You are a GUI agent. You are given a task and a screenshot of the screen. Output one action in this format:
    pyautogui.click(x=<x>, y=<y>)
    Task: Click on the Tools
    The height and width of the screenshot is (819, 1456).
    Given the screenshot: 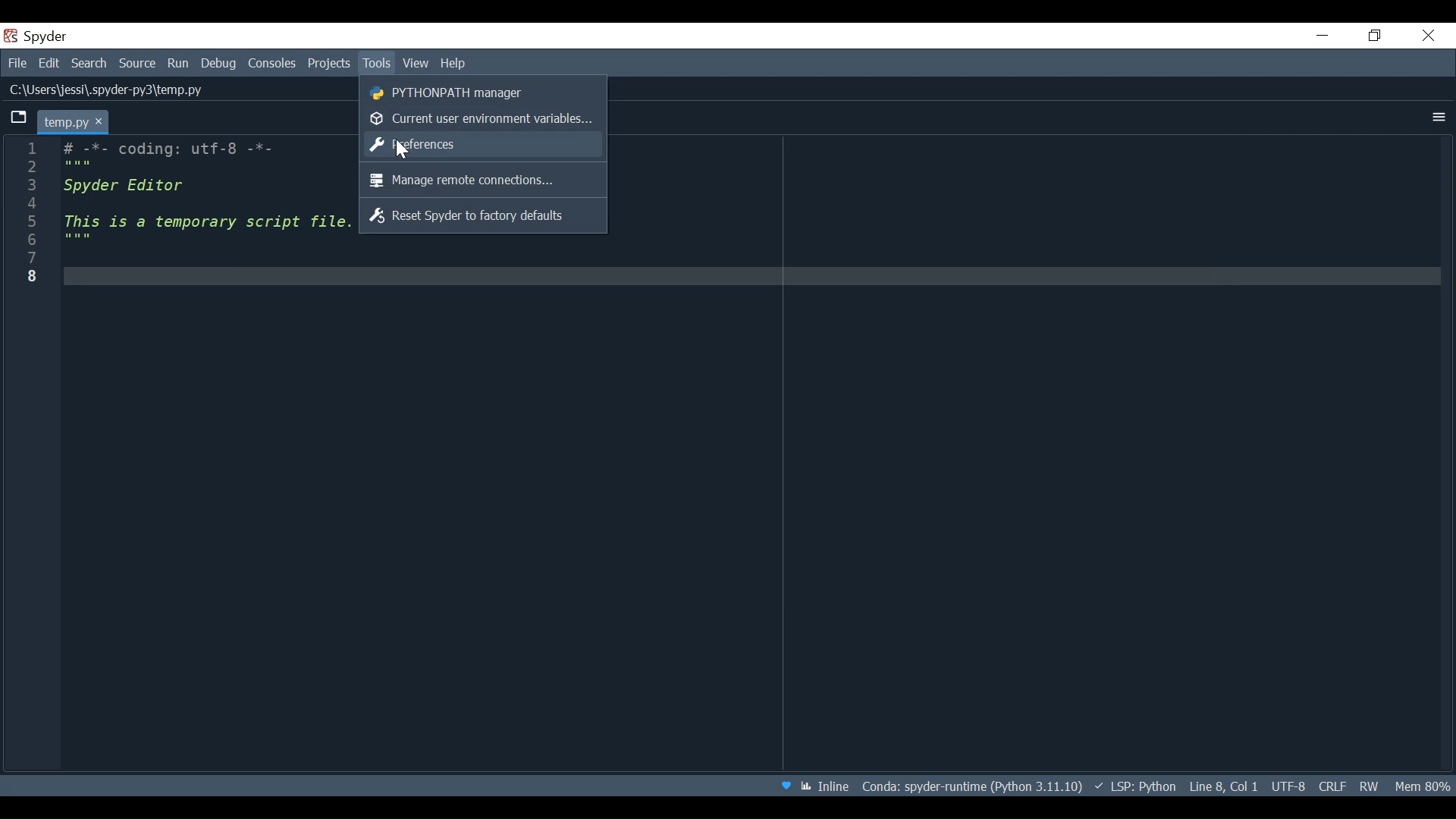 What is the action you would take?
    pyautogui.click(x=376, y=63)
    